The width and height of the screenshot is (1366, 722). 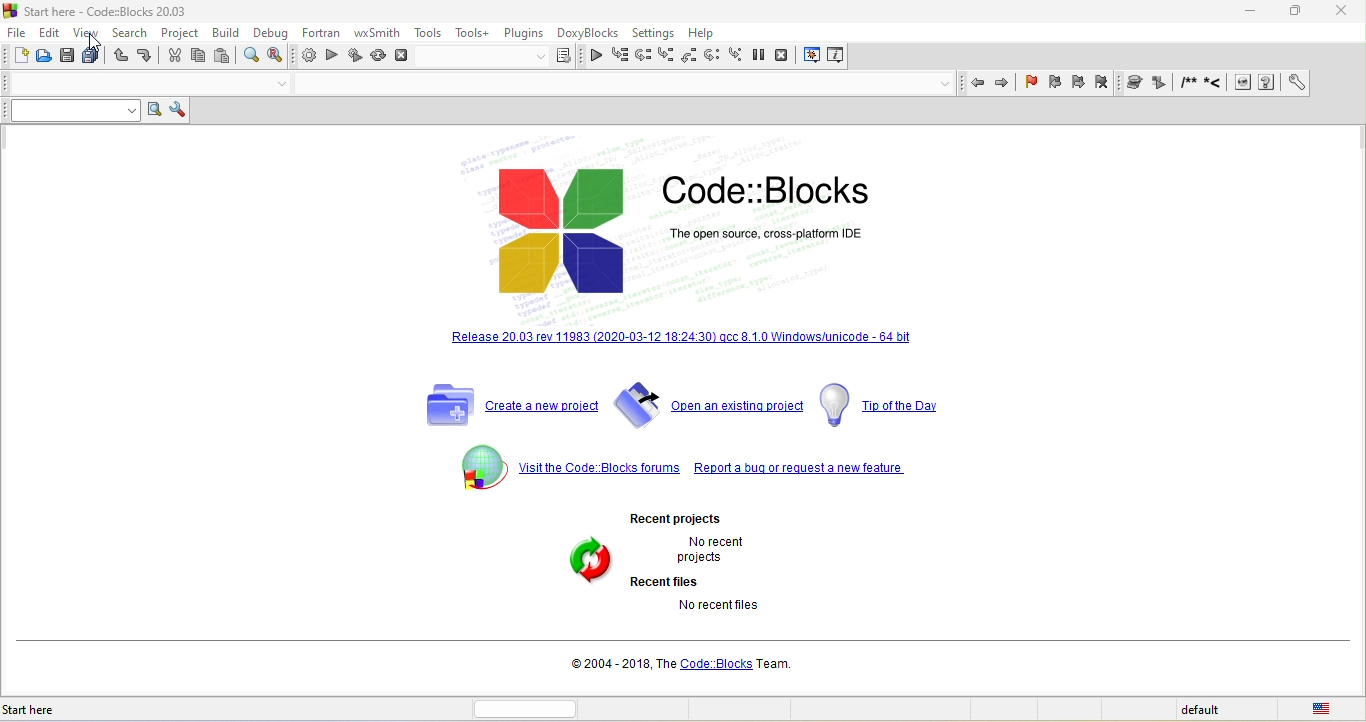 What do you see at coordinates (687, 347) in the screenshot?
I see `release 20.03 rev 11983[2020-03-12 18:24:30]qcc 8.10 ` at bounding box center [687, 347].